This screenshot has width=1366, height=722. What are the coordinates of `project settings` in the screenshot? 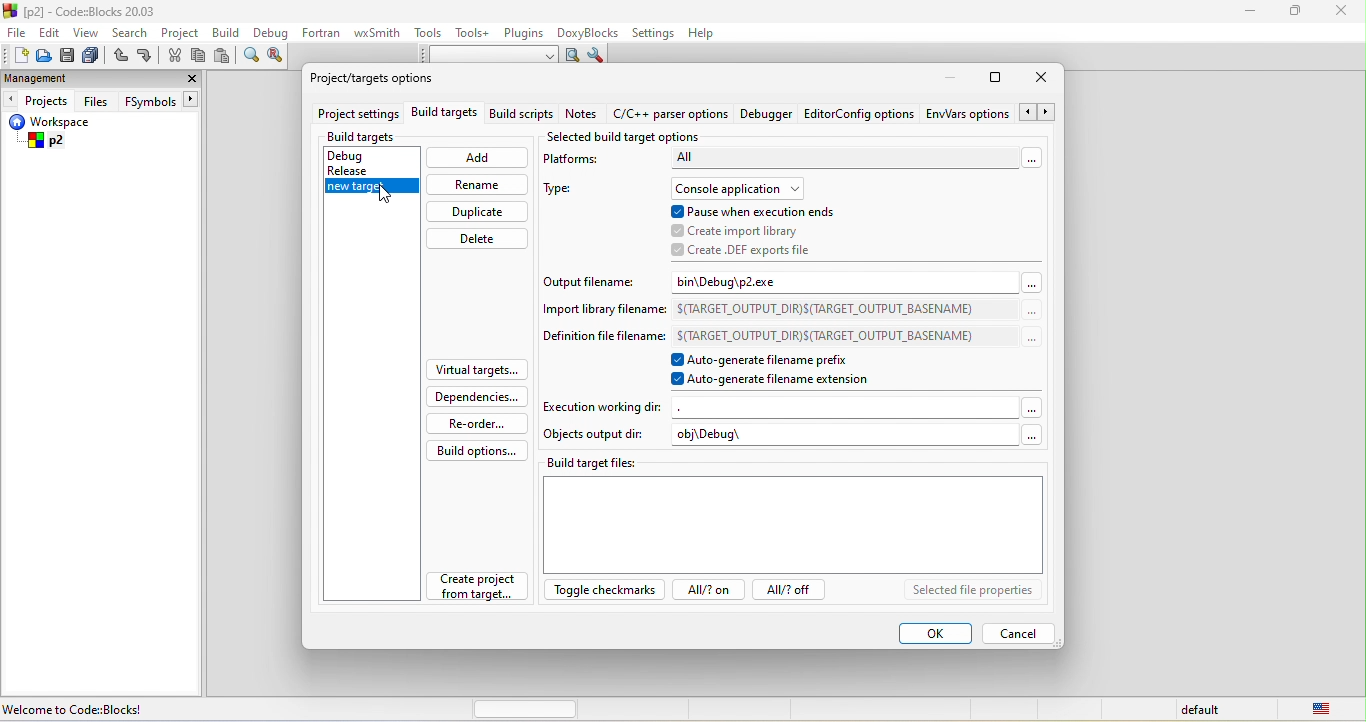 It's located at (356, 115).